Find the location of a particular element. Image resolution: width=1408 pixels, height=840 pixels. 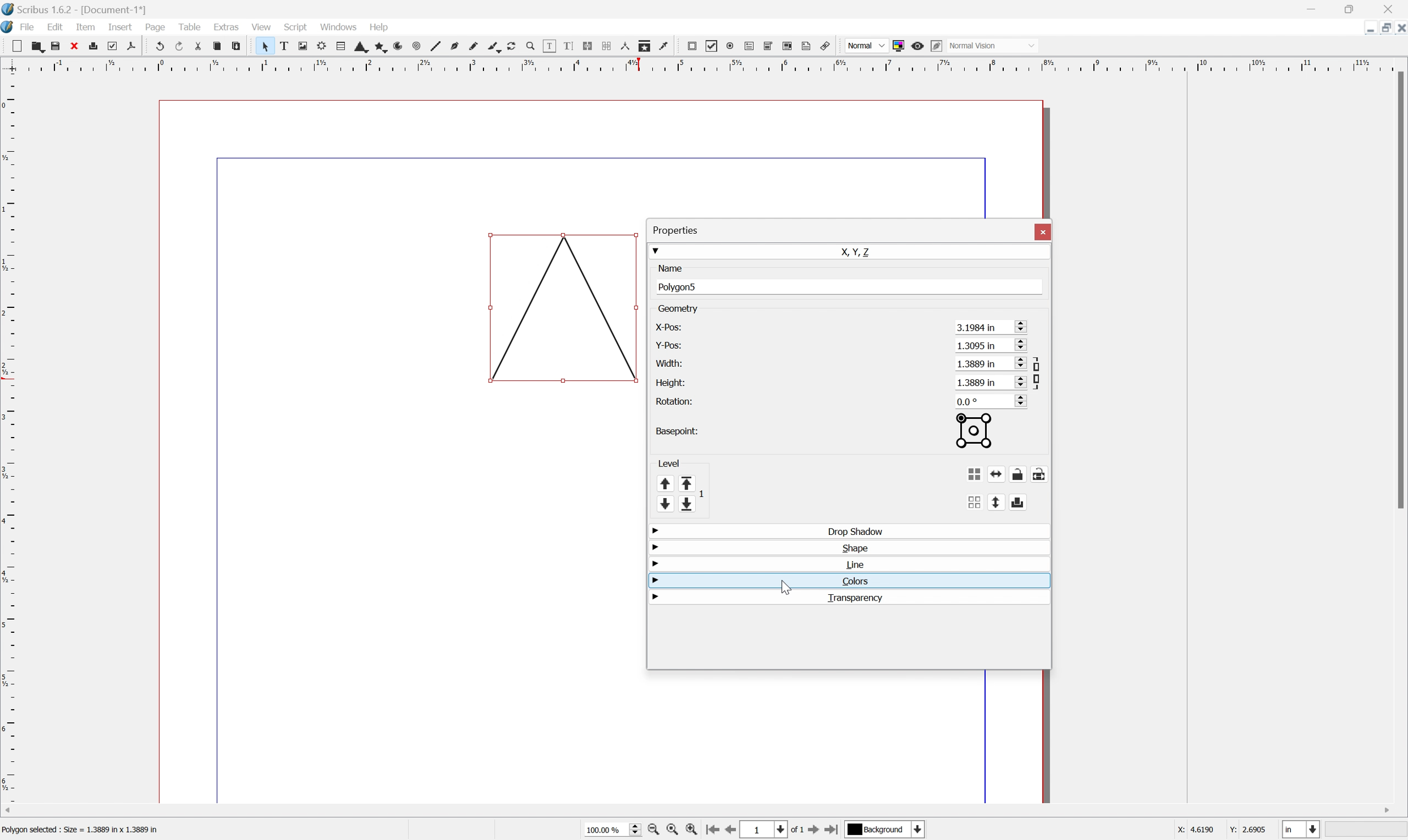

Redo is located at coordinates (178, 45).